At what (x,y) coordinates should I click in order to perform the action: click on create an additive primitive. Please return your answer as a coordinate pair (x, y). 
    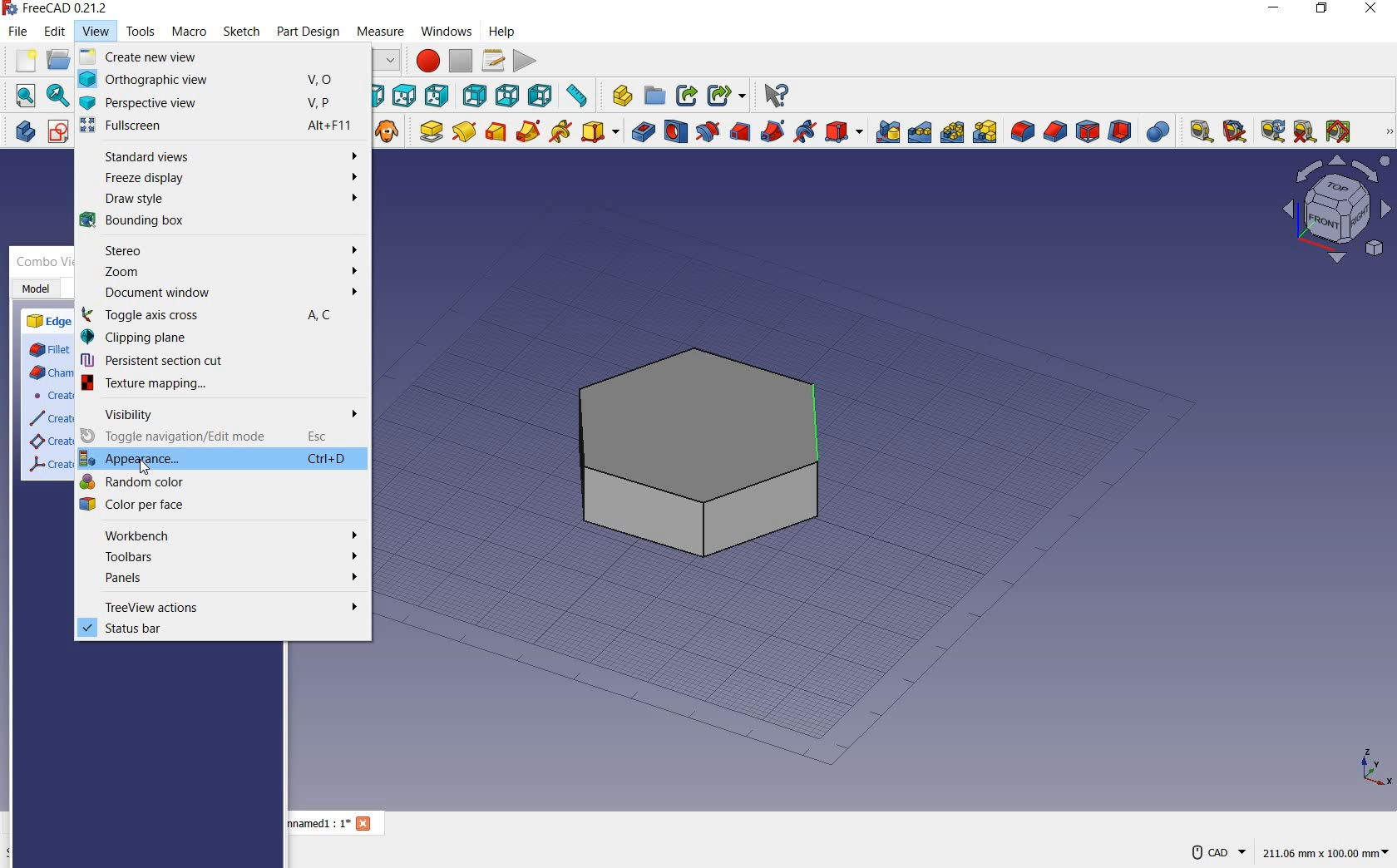
    Looking at the image, I should click on (600, 131).